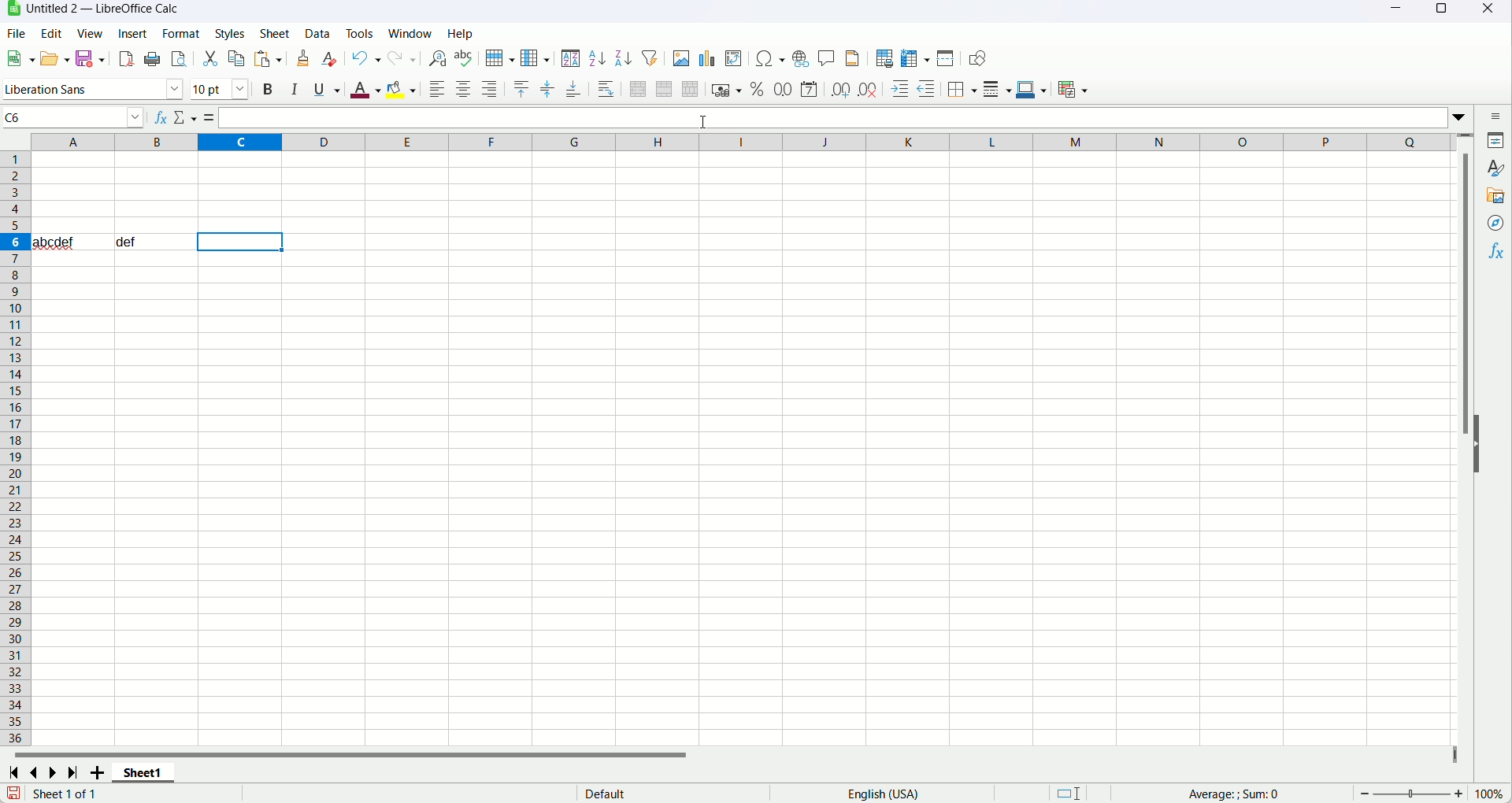  Describe the element at coordinates (1467, 439) in the screenshot. I see `vertical scroll bar` at that location.